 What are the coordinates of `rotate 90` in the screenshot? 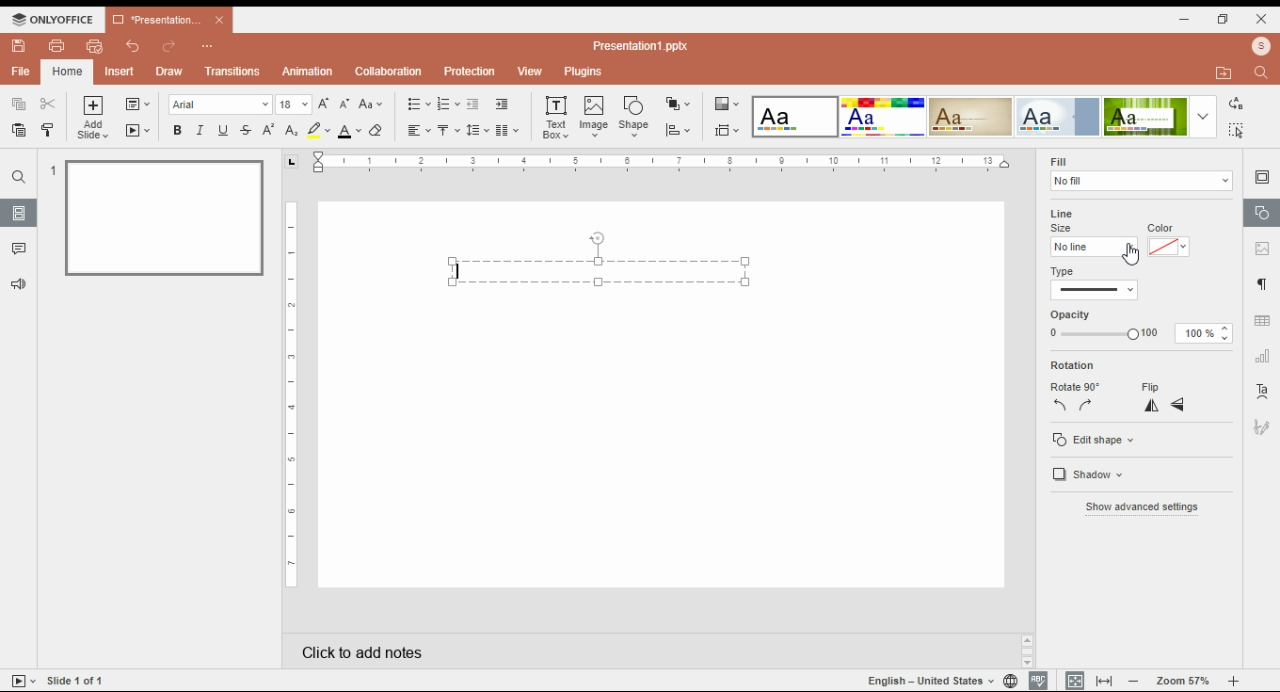 It's located at (1075, 387).